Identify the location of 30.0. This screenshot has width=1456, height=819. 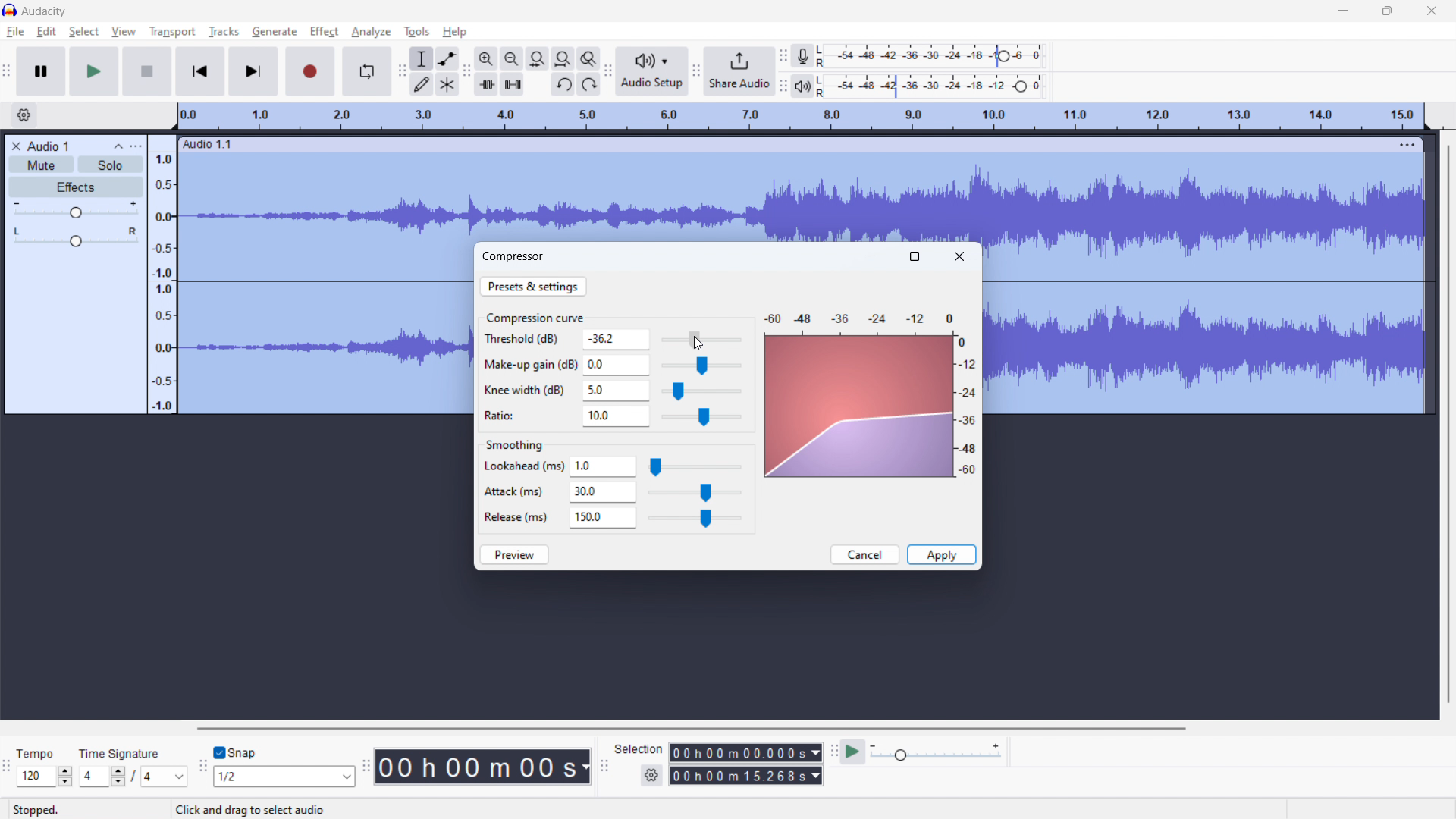
(603, 493).